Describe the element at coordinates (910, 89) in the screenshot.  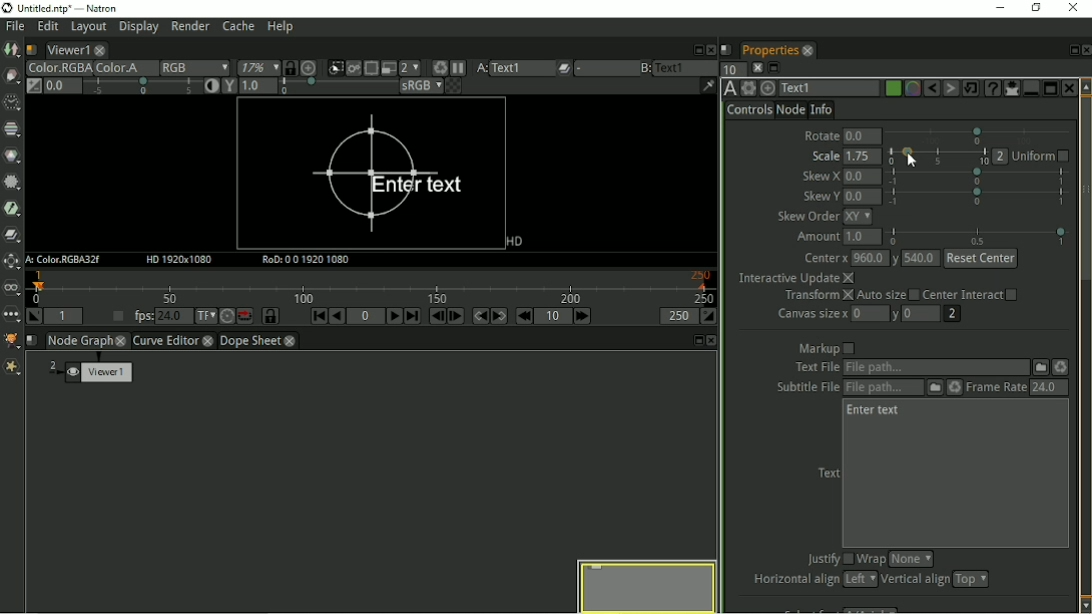
I see `Overlay color` at that location.